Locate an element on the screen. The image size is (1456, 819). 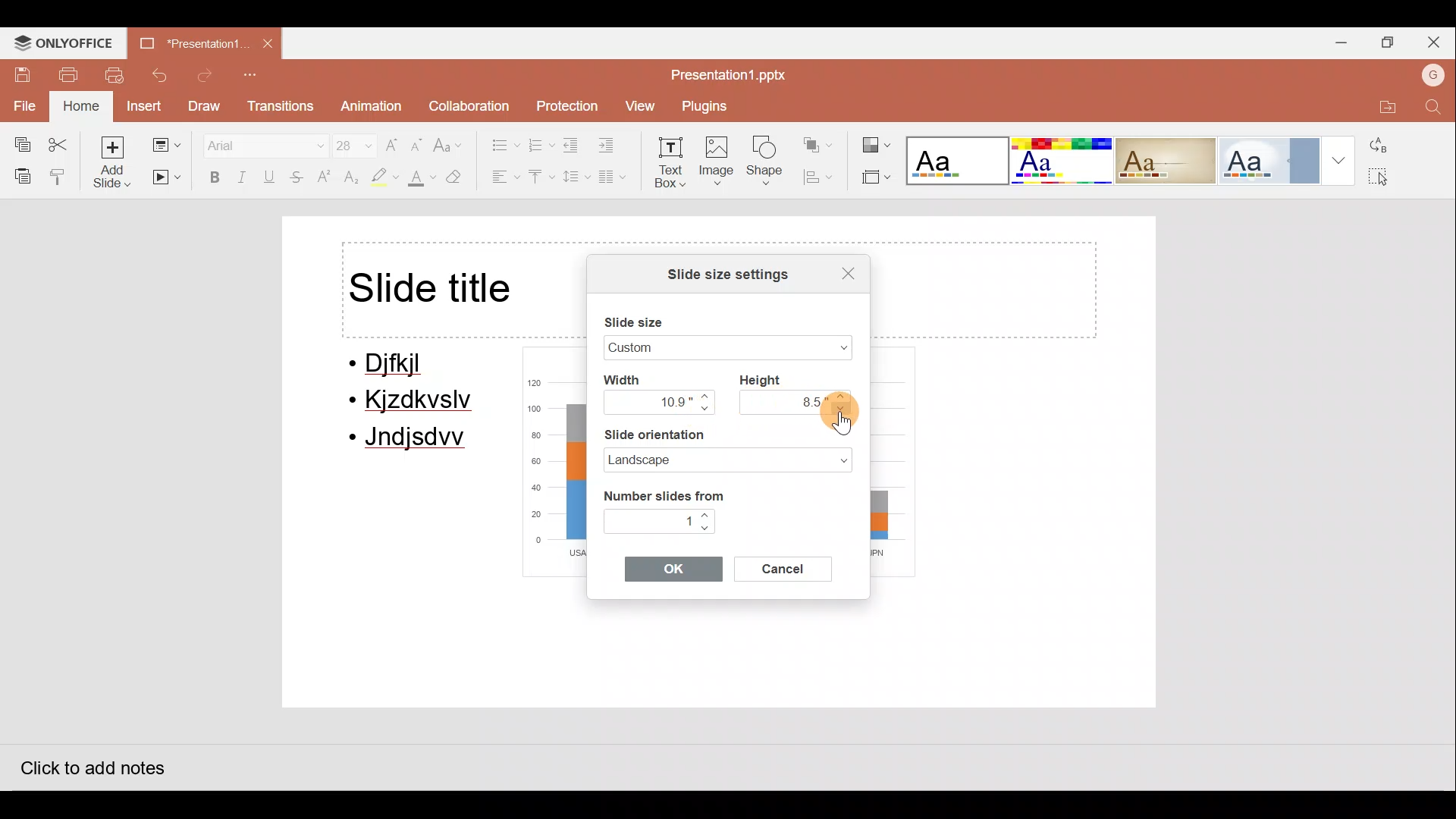
Maximize is located at coordinates (1389, 42).